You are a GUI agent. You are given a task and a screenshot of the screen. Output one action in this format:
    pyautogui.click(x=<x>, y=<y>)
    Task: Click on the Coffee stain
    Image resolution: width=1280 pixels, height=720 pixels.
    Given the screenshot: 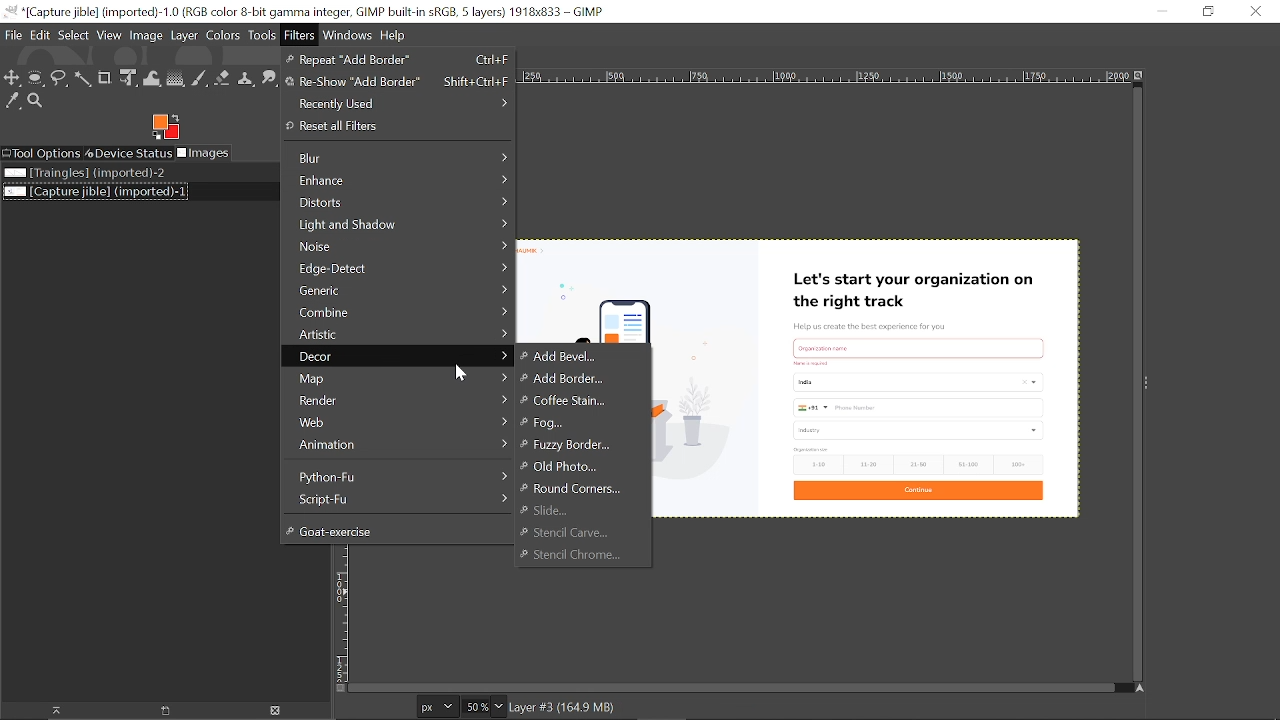 What is the action you would take?
    pyautogui.click(x=573, y=402)
    